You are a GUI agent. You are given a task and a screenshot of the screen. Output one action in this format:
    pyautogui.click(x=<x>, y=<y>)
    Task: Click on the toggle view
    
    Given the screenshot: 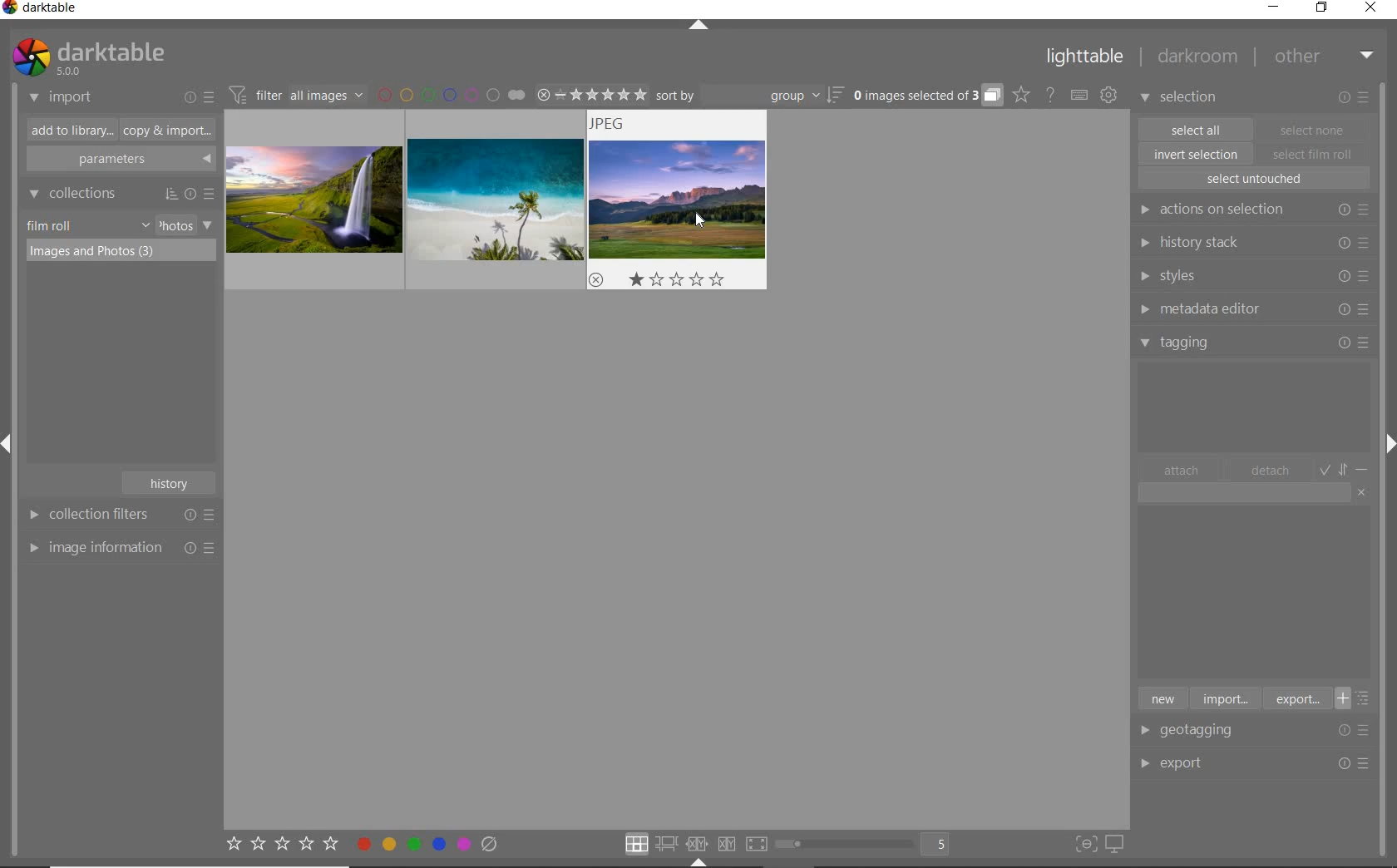 What is the action you would take?
    pyautogui.click(x=868, y=846)
    